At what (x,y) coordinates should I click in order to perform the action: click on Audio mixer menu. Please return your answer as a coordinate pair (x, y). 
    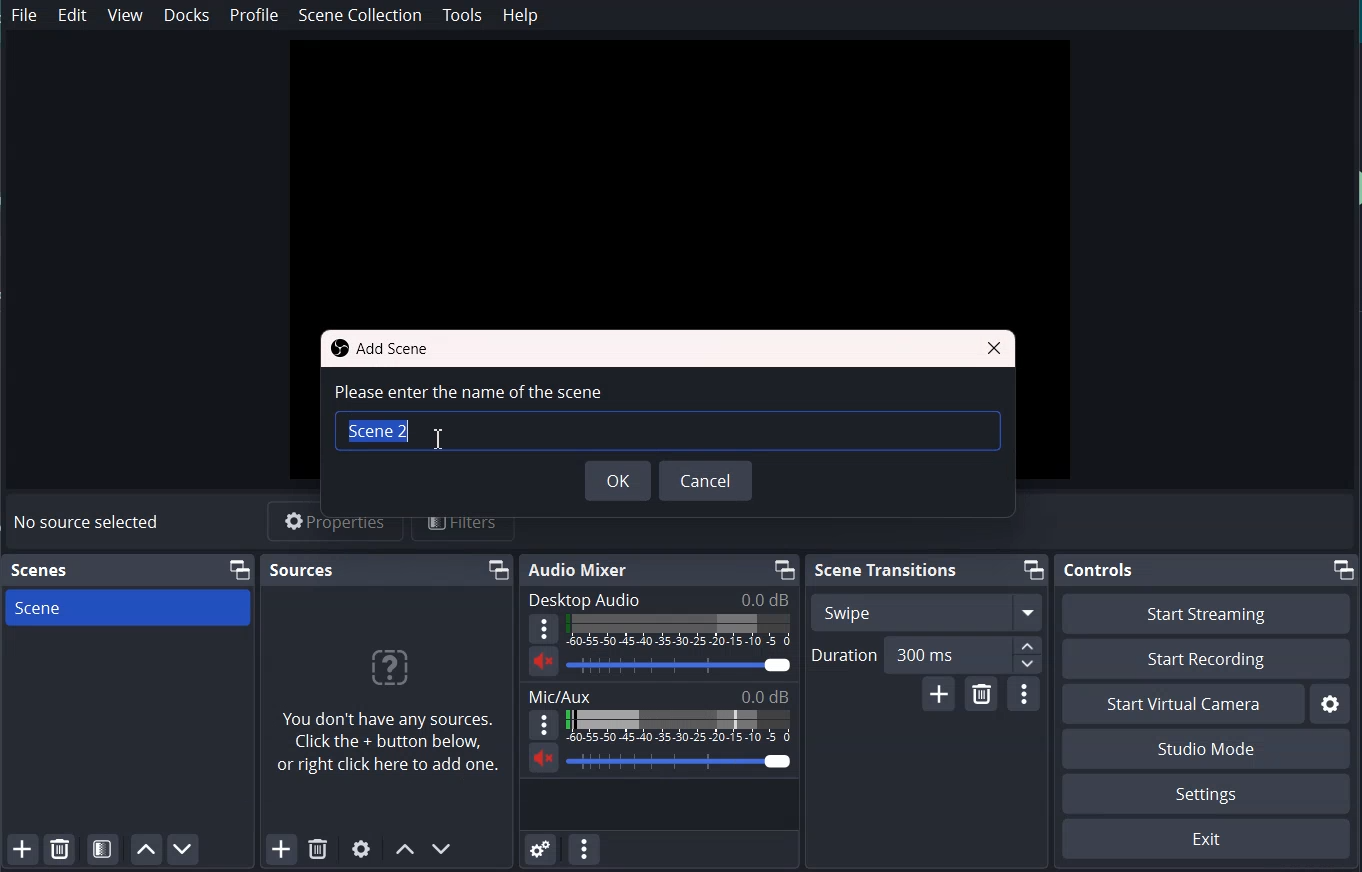
    Looking at the image, I should click on (584, 848).